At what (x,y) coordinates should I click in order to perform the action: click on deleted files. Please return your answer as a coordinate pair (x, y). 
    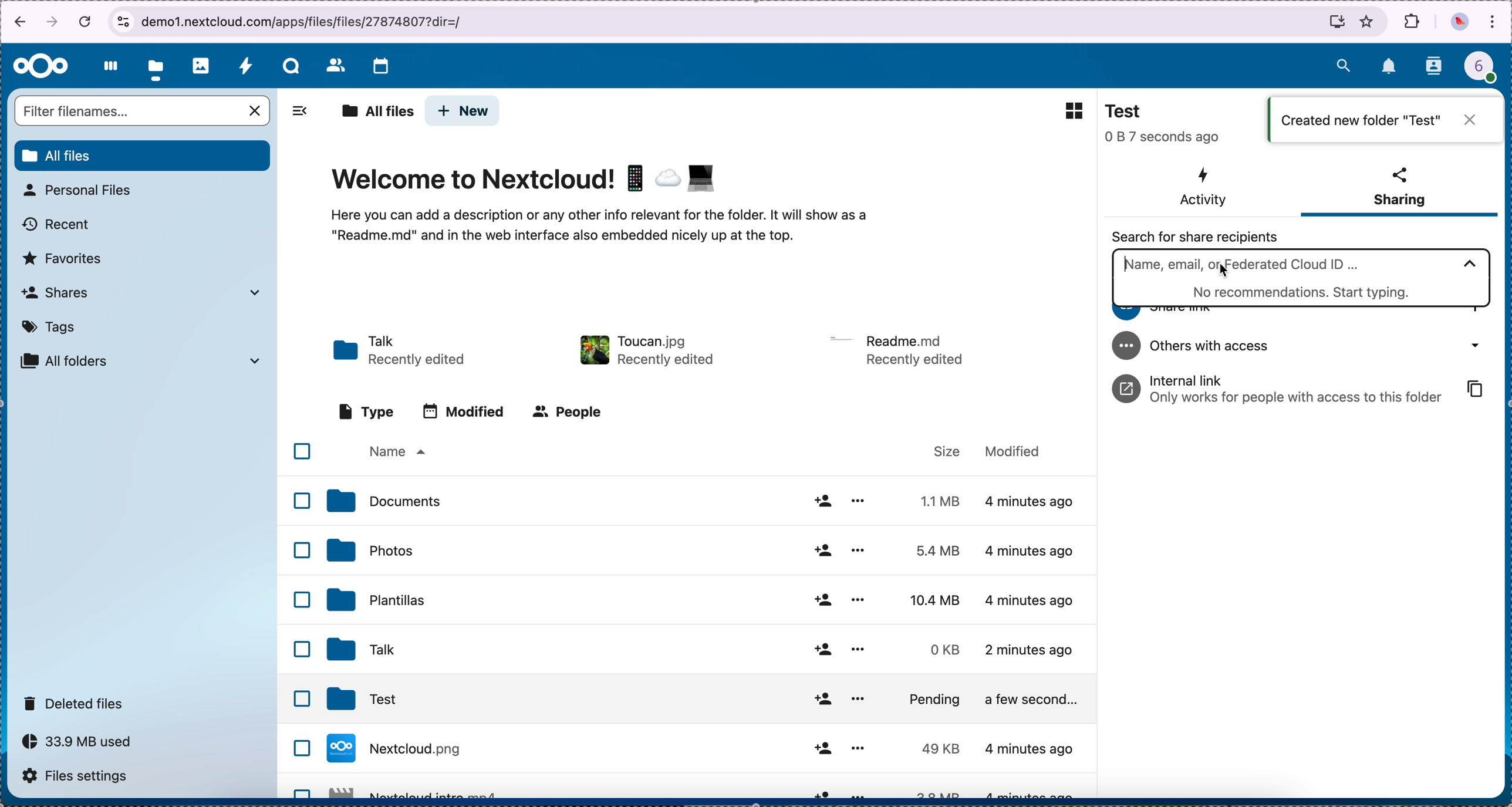
    Looking at the image, I should click on (76, 703).